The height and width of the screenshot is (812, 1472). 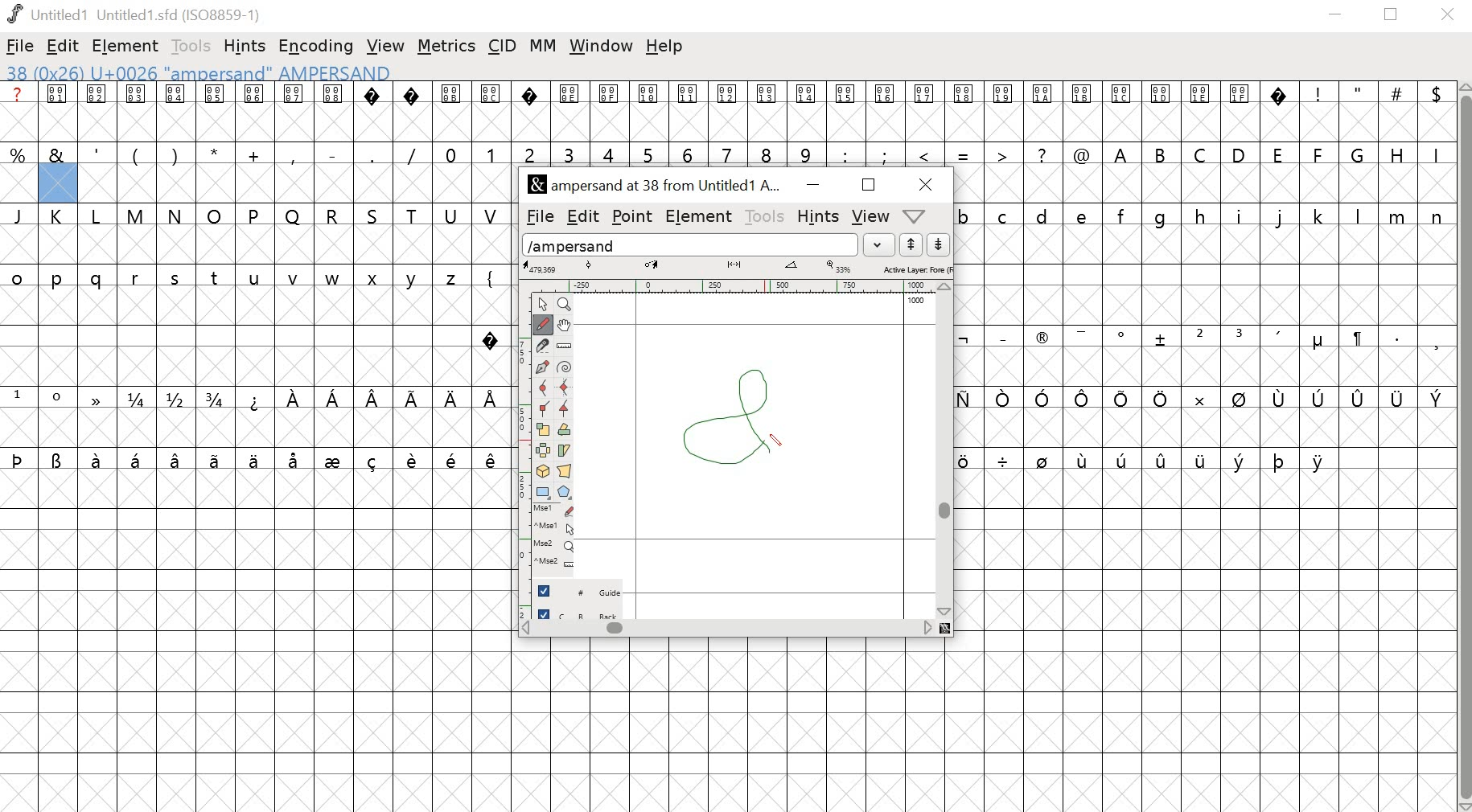 I want to click on horizontal scrollbar, so click(x=735, y=629).